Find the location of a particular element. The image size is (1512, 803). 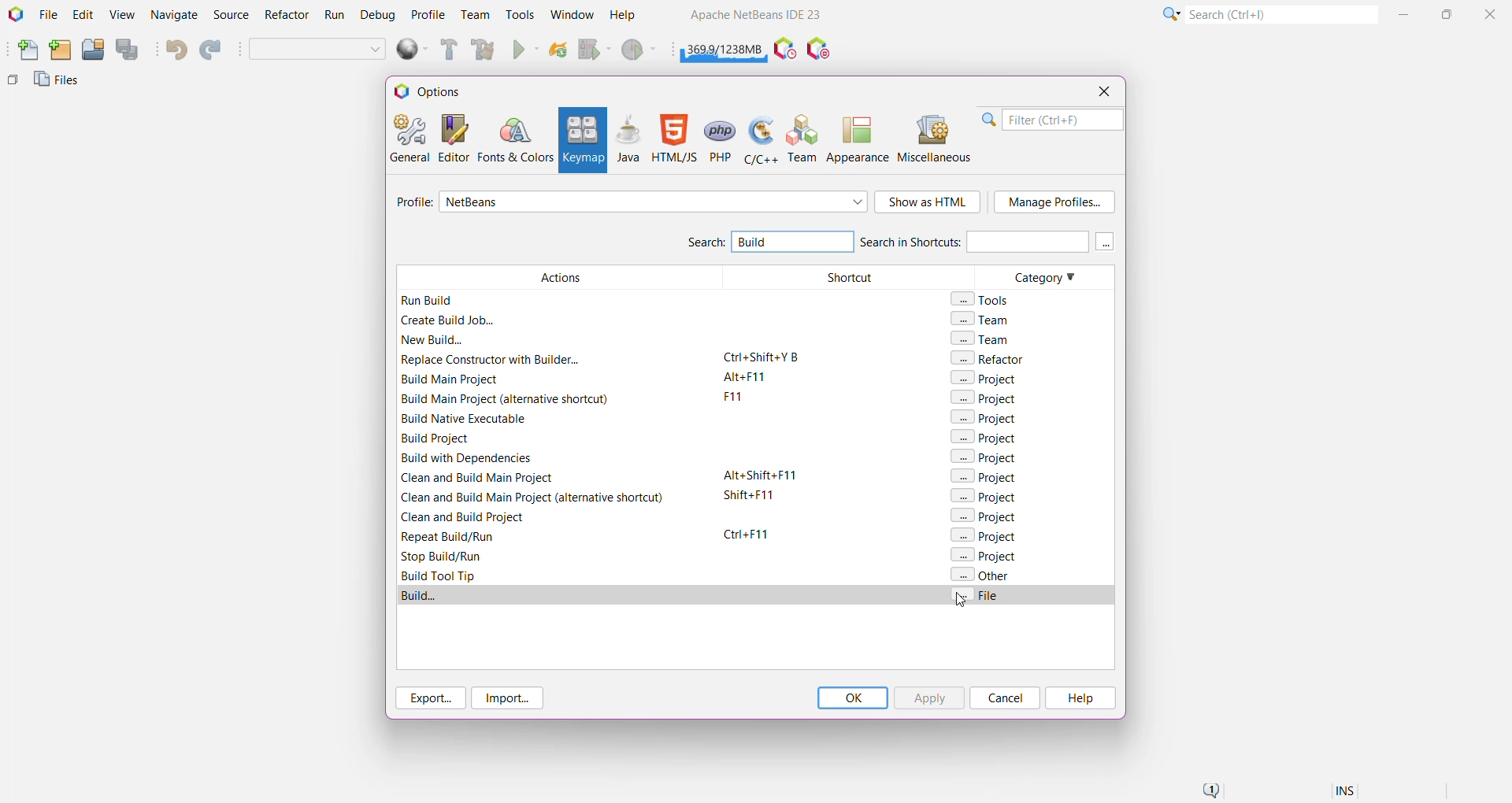

Tools is located at coordinates (521, 13).